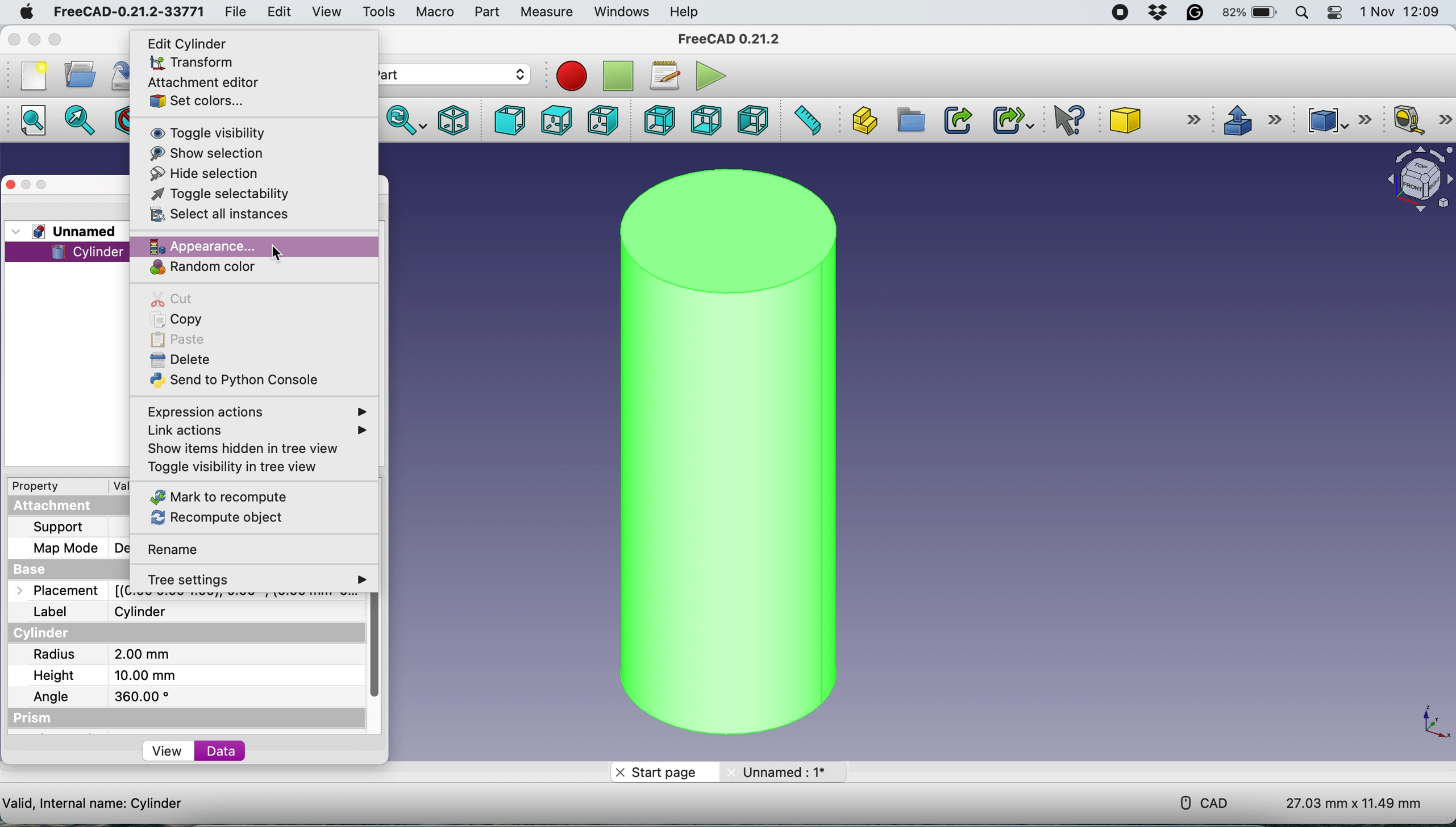  What do you see at coordinates (195, 63) in the screenshot?
I see `transform` at bounding box center [195, 63].